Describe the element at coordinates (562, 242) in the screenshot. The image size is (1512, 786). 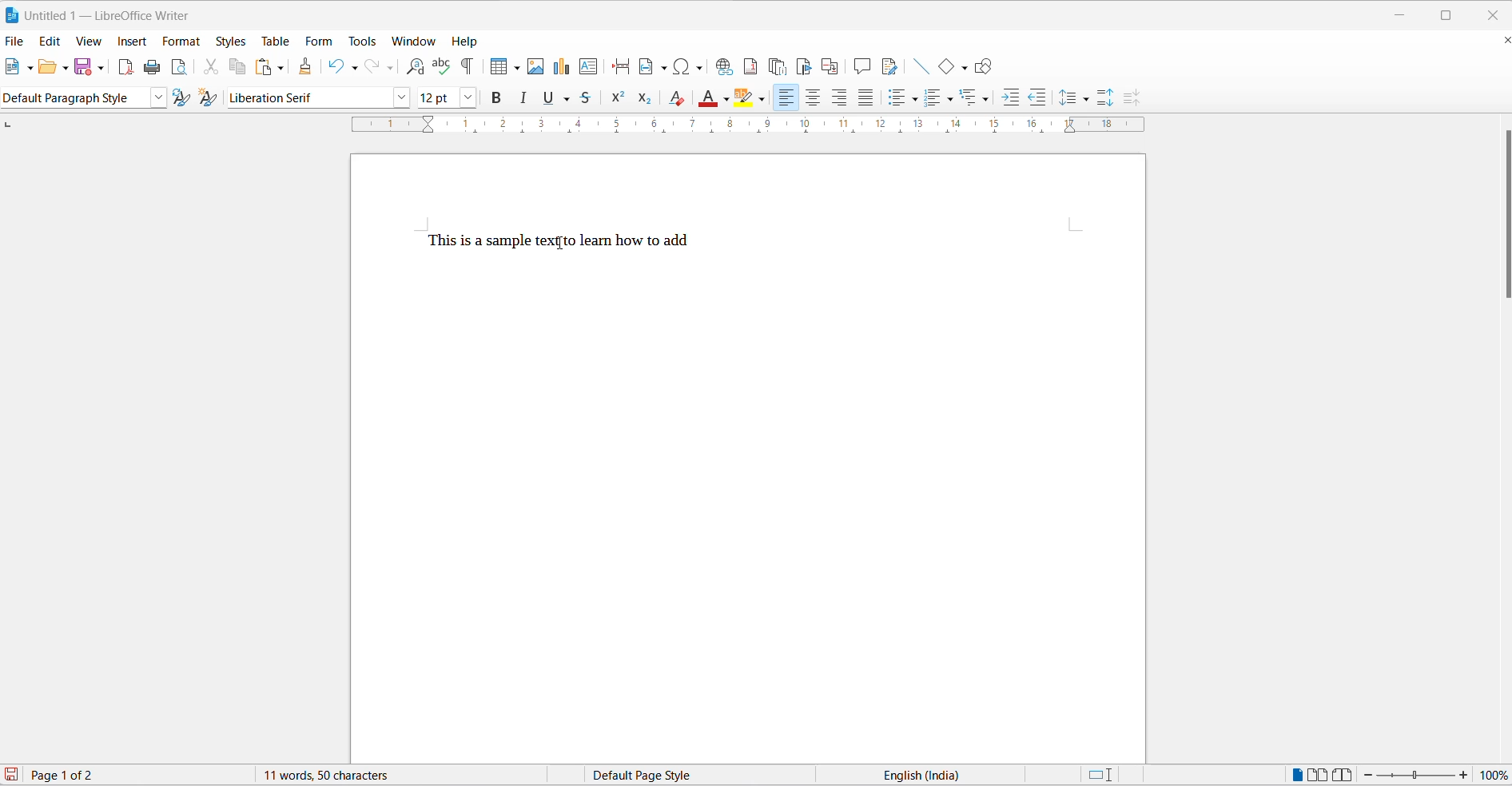
I see `sample text` at that location.